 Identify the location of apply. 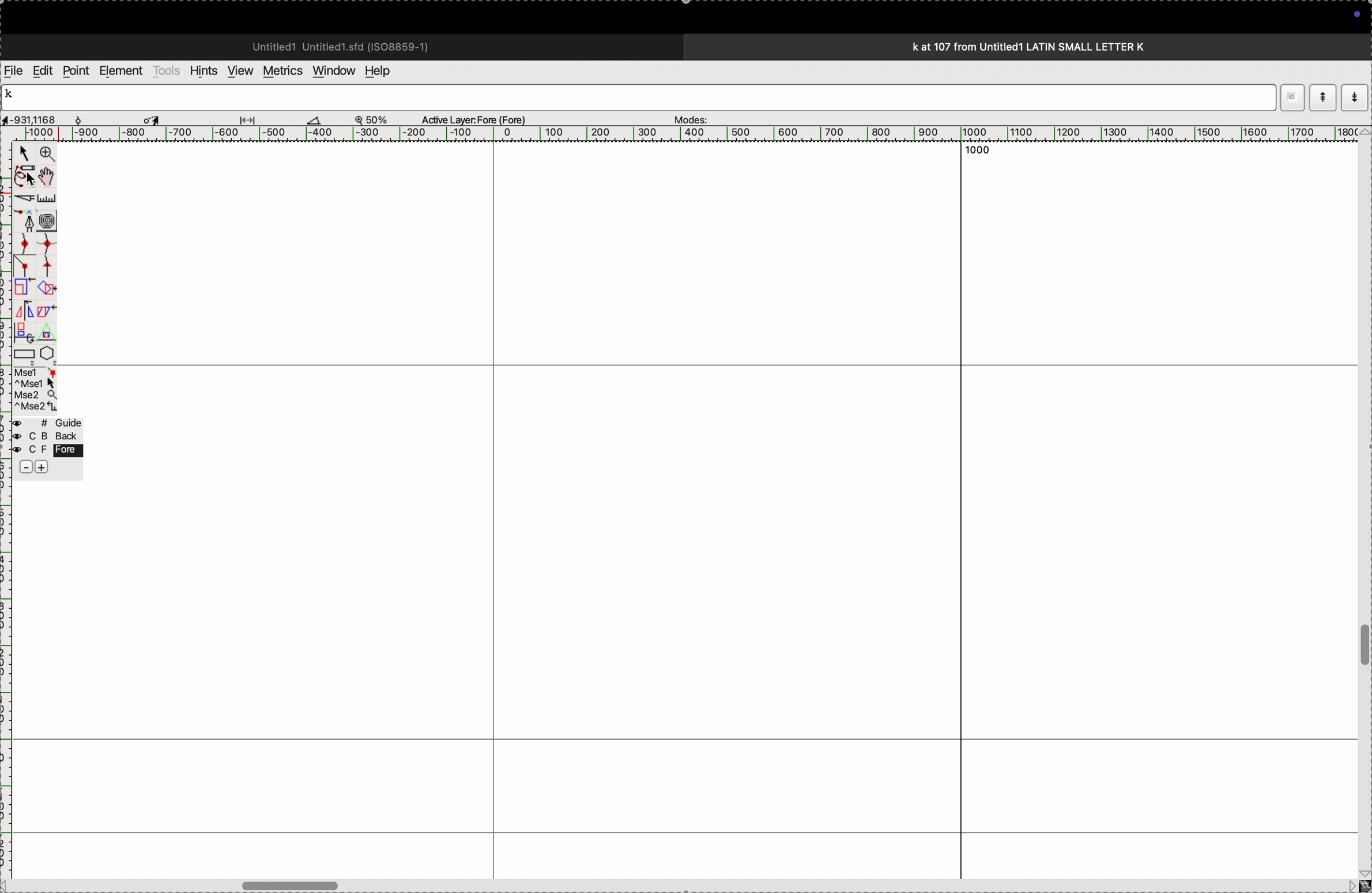
(47, 319).